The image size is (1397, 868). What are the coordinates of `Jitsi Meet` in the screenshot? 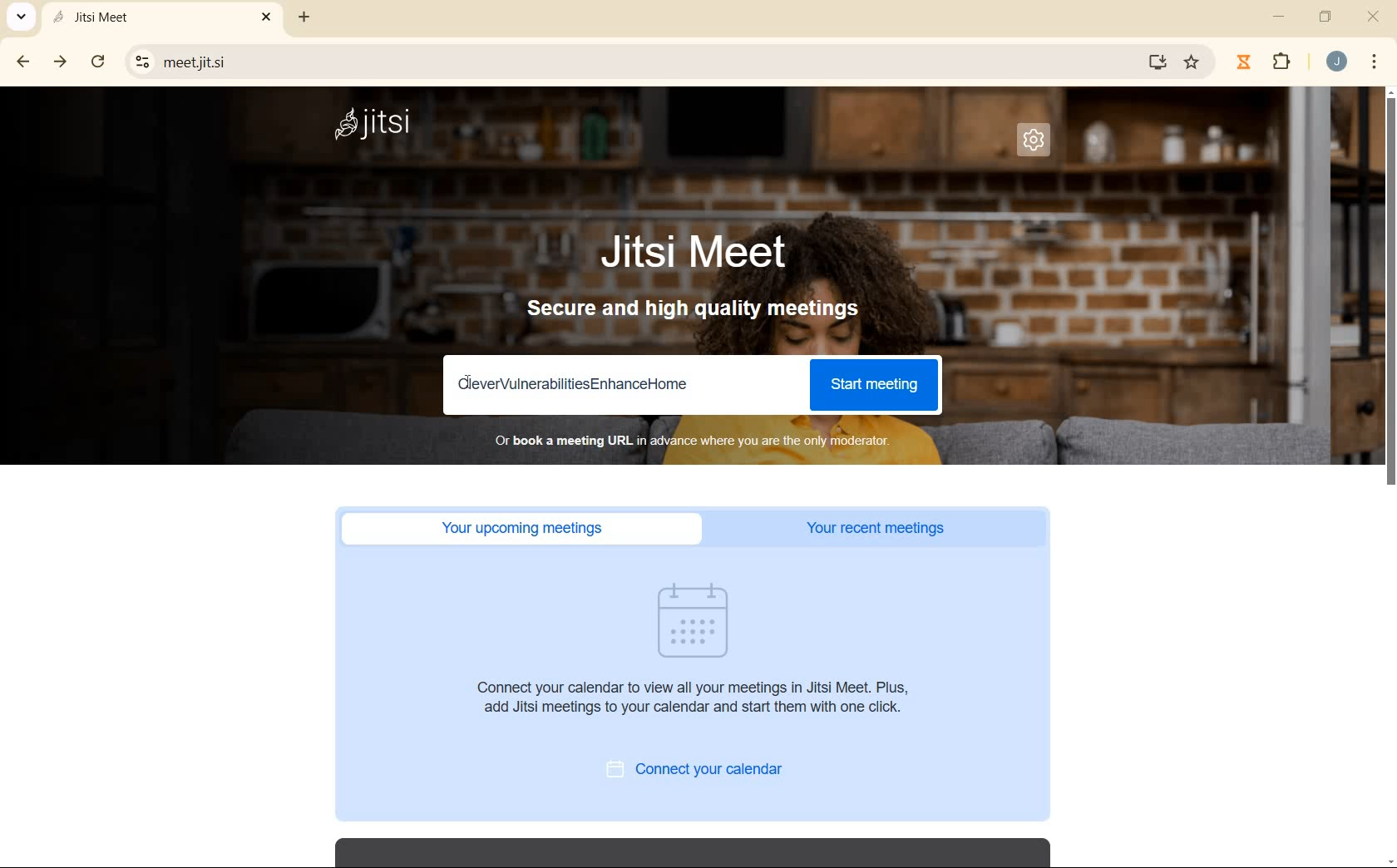 It's located at (160, 18).